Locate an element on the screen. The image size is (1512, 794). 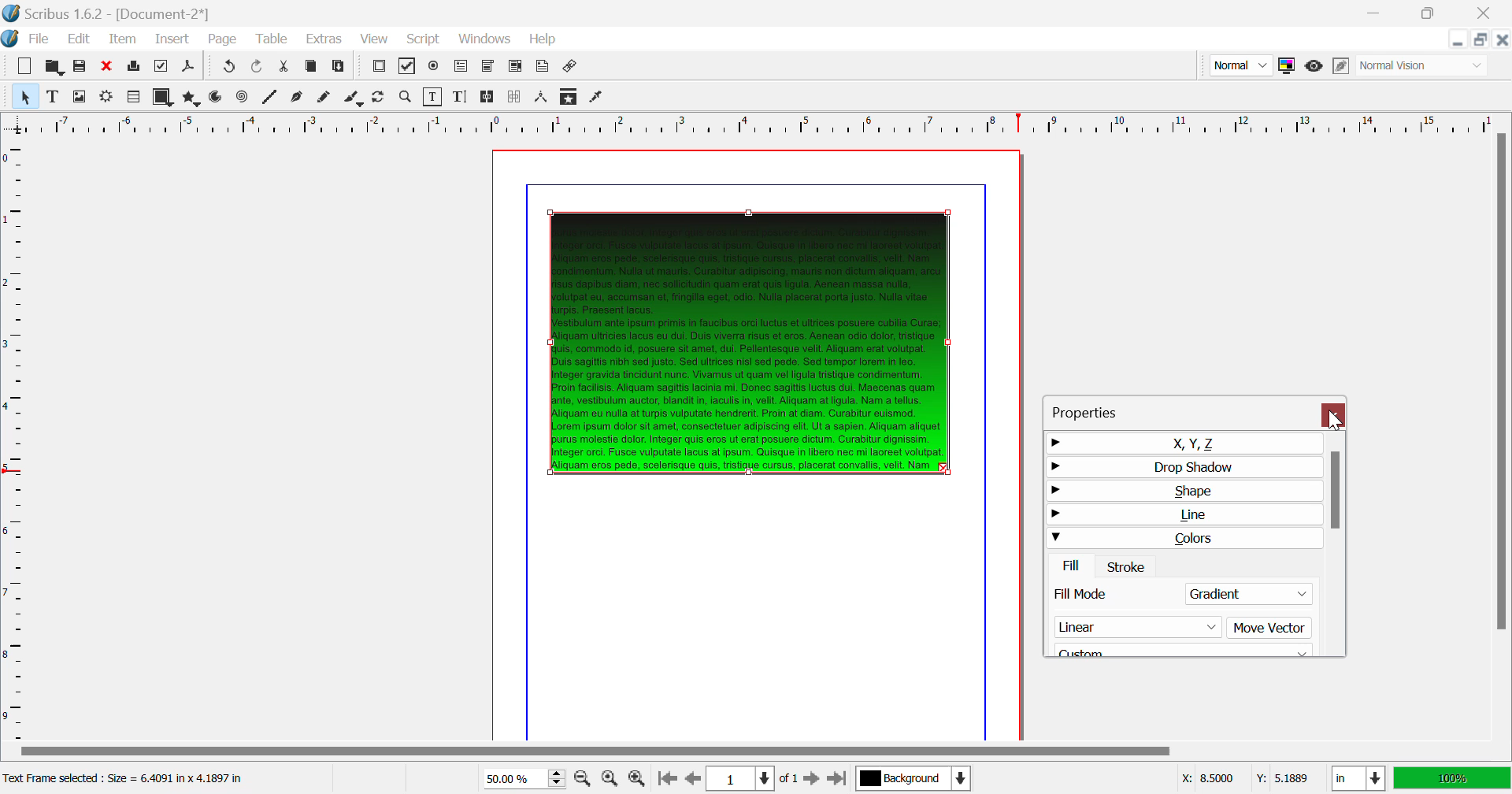
Restore Down is located at coordinates (1378, 13).